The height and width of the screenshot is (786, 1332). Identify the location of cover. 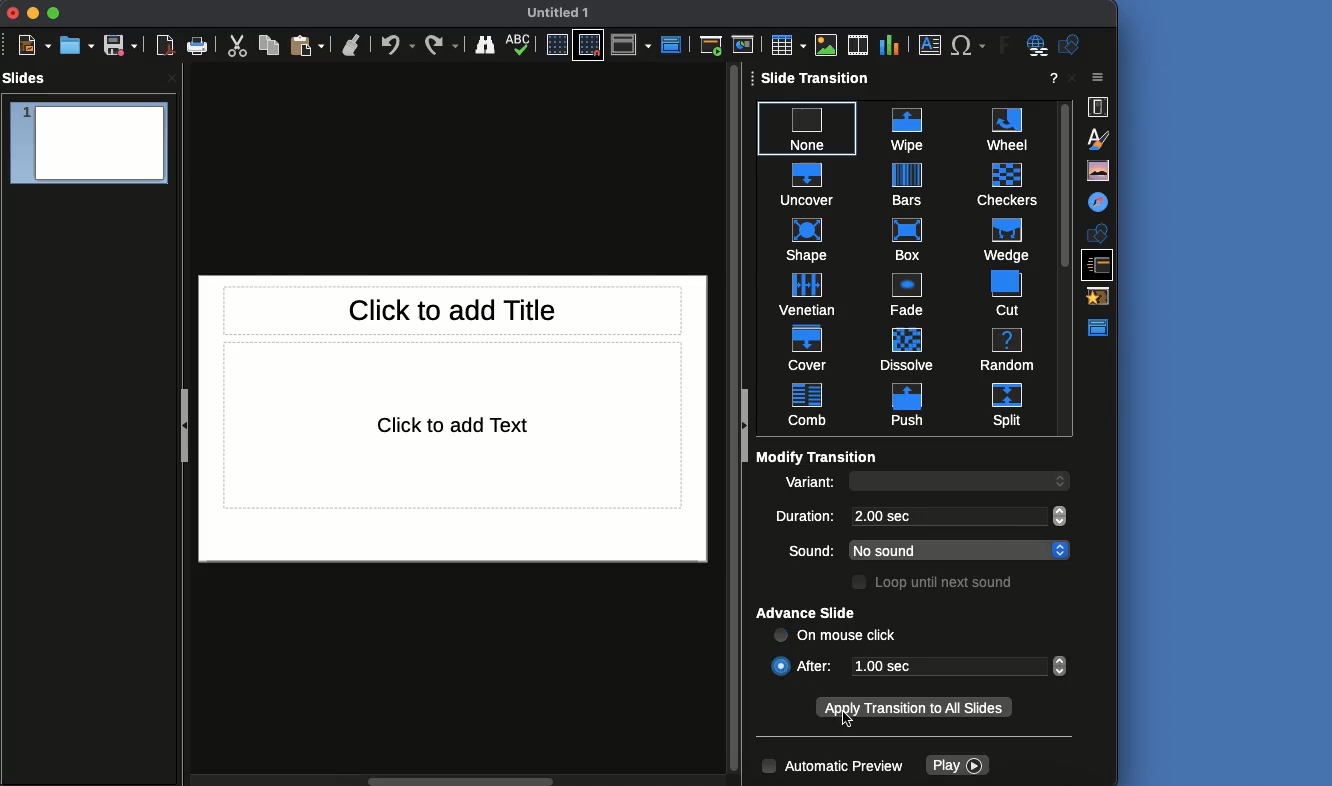
(809, 346).